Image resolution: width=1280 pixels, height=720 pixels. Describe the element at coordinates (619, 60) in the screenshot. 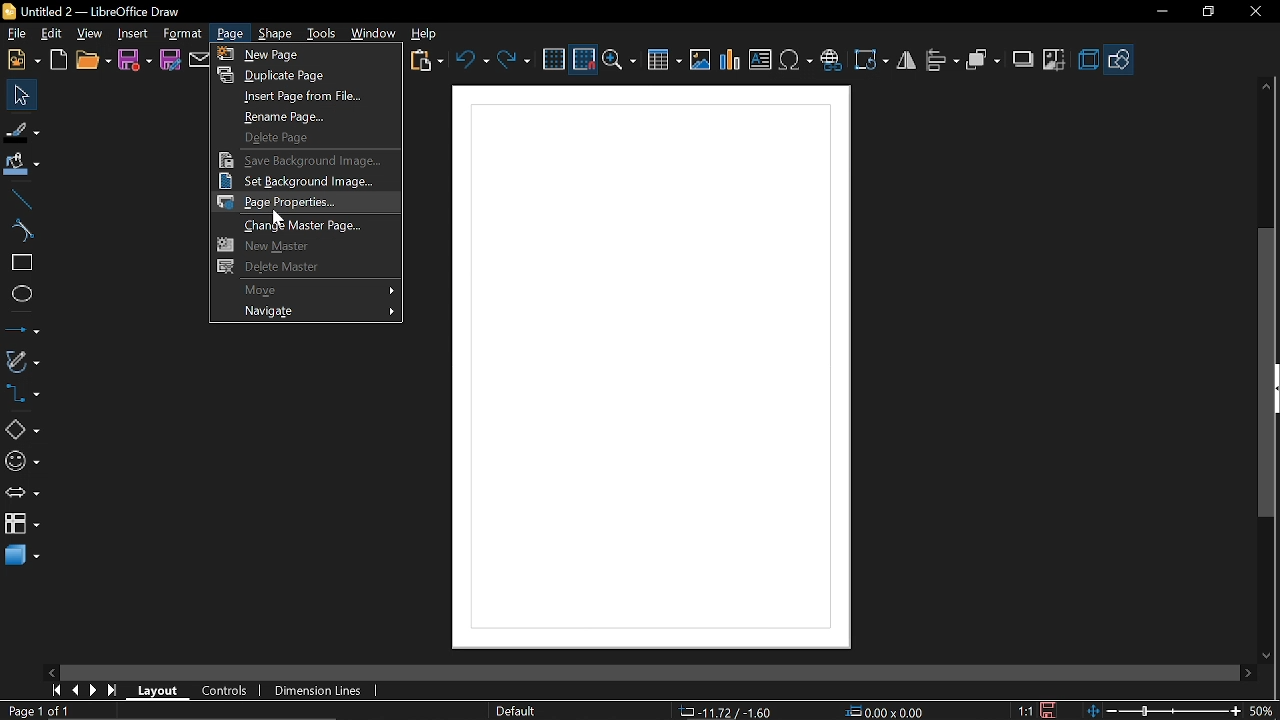

I see `Zoom` at that location.